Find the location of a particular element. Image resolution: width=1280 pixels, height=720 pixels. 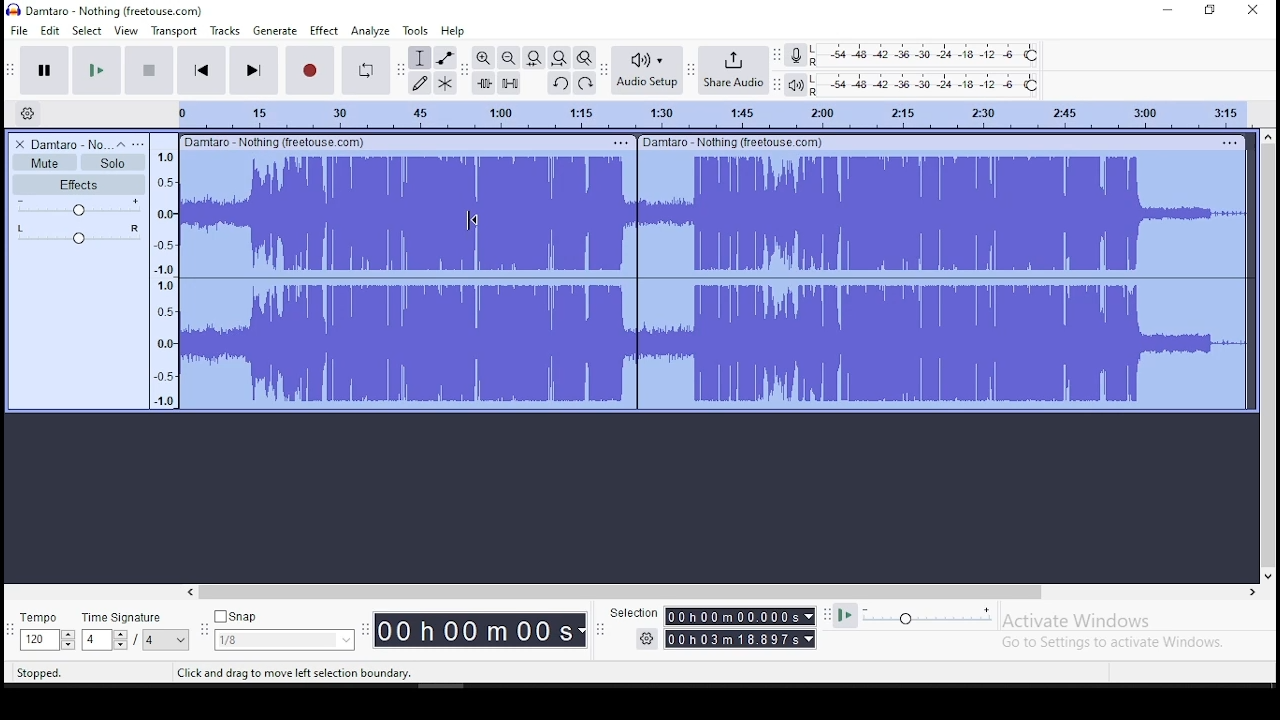

effects is located at coordinates (78, 185).